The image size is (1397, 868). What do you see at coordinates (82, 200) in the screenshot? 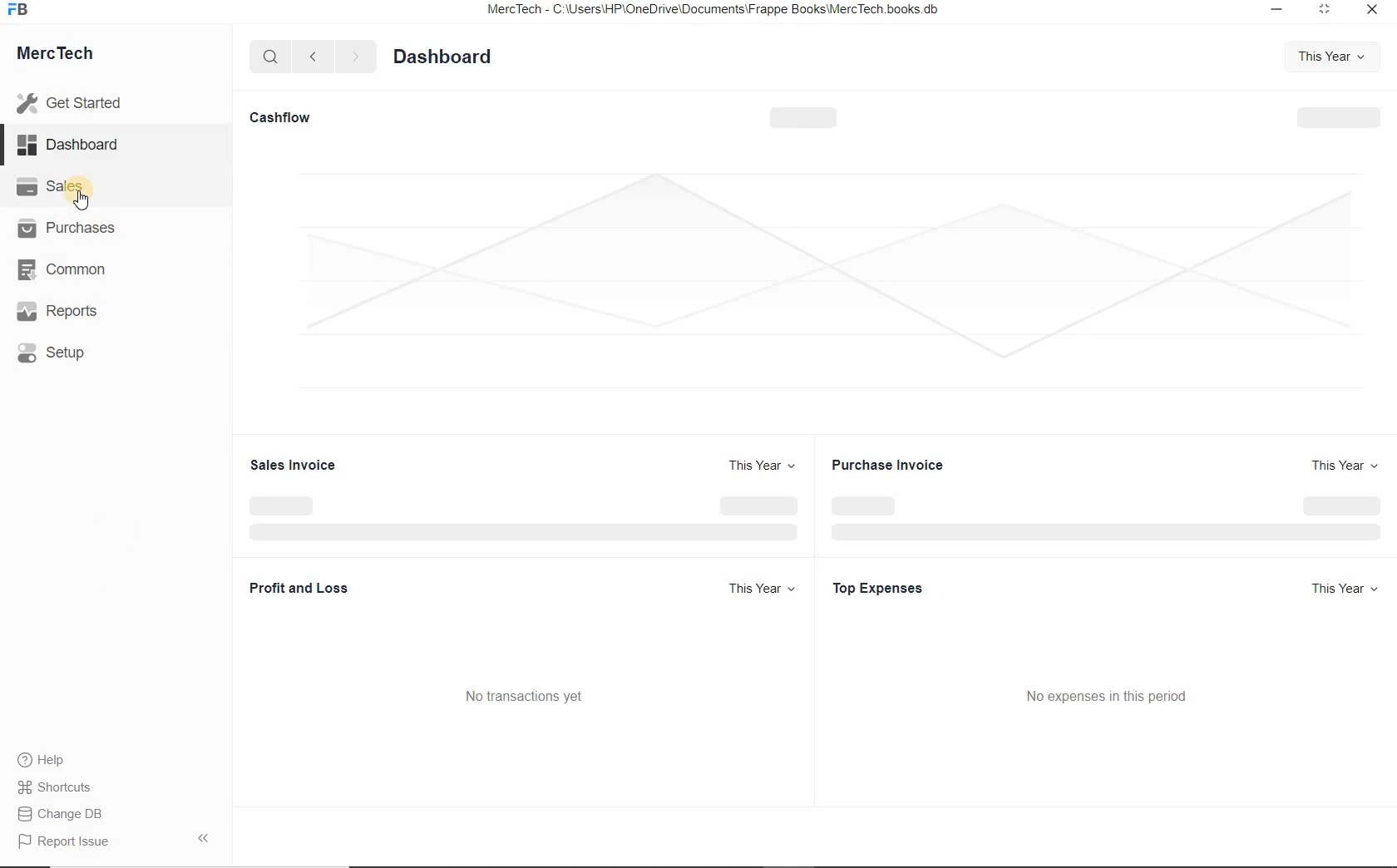
I see `Cursor` at bounding box center [82, 200].